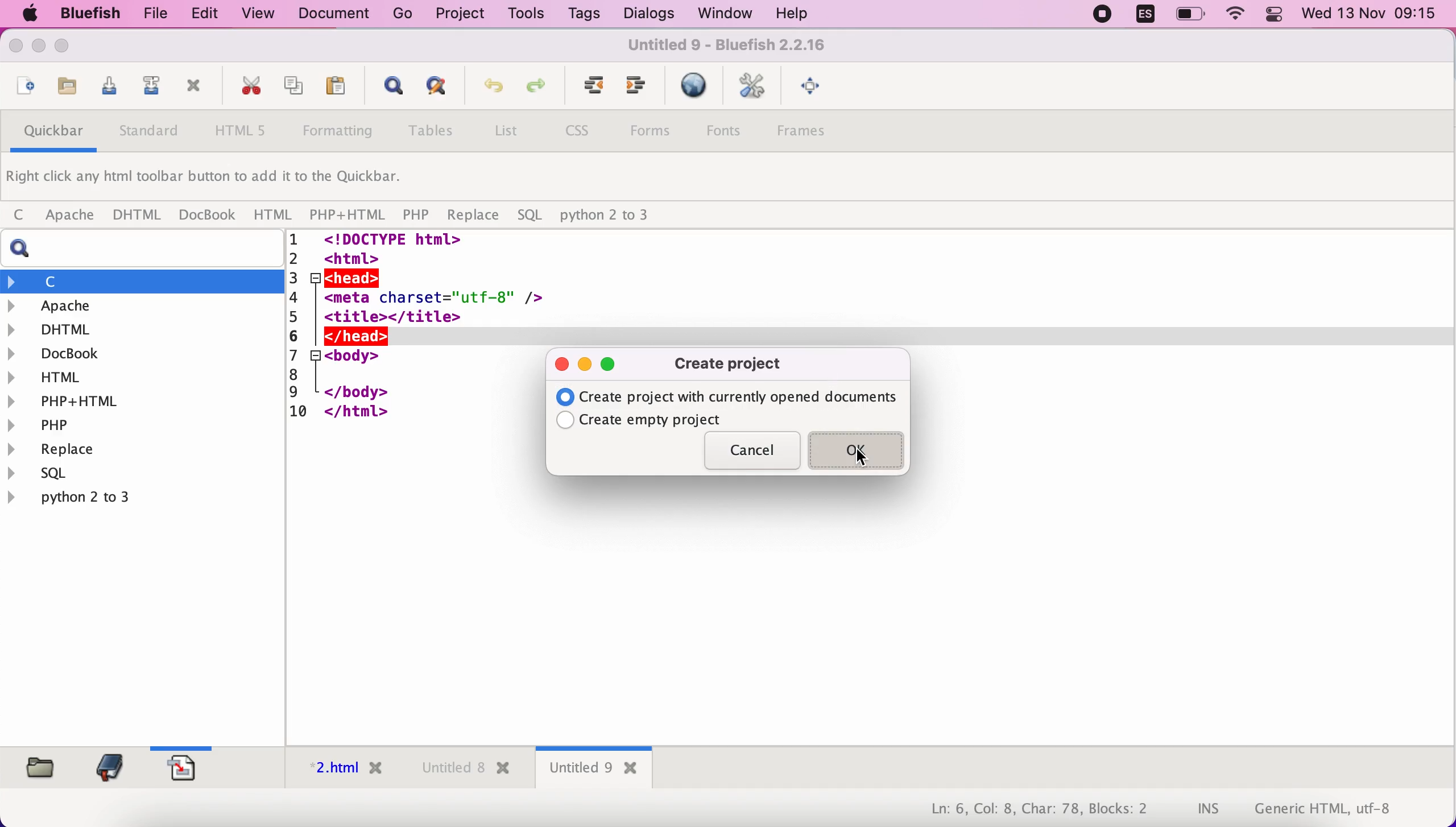  Describe the element at coordinates (1139, 16) in the screenshot. I see `language` at that location.